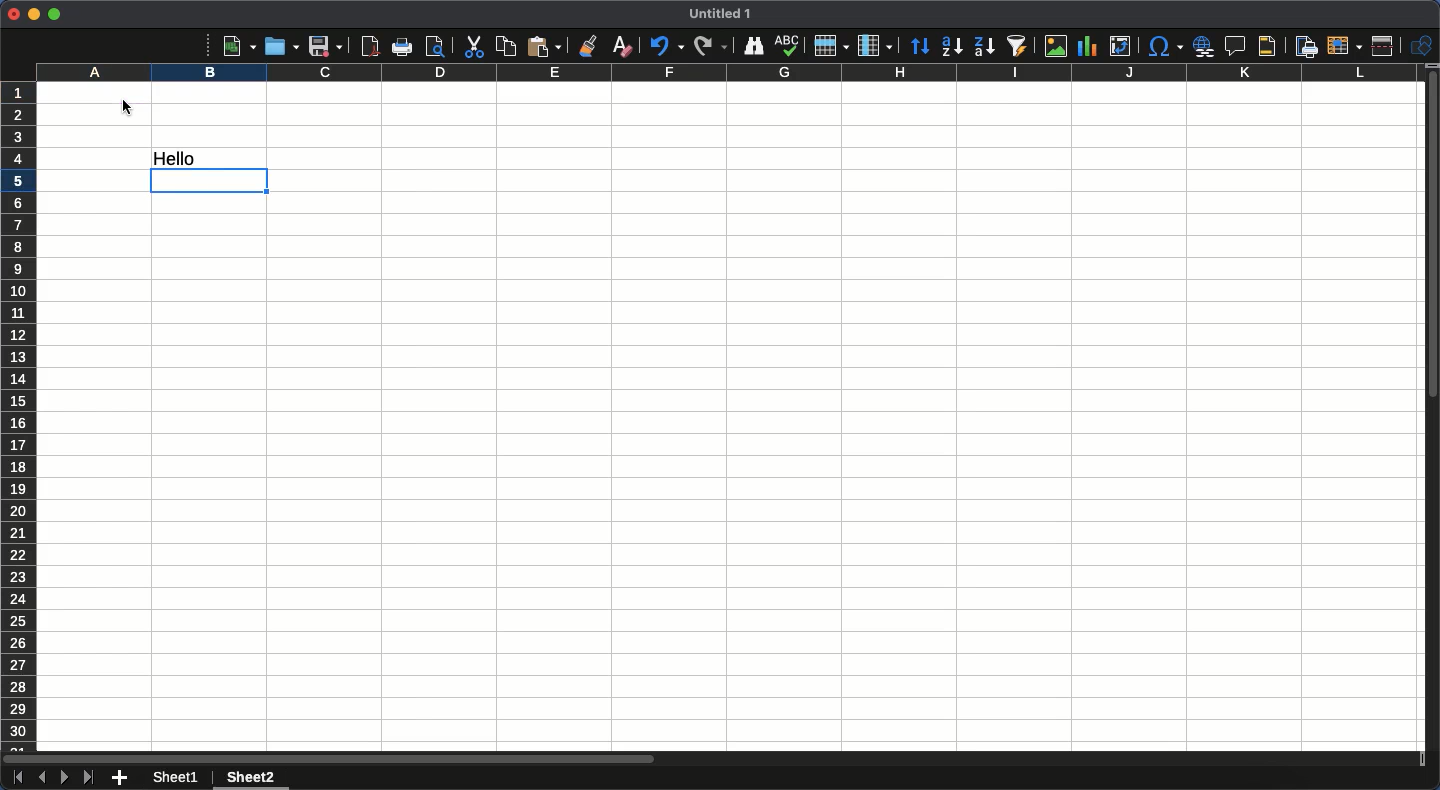 The width and height of the screenshot is (1440, 790). What do you see at coordinates (248, 779) in the screenshot?
I see `Sheet 2` at bounding box center [248, 779].